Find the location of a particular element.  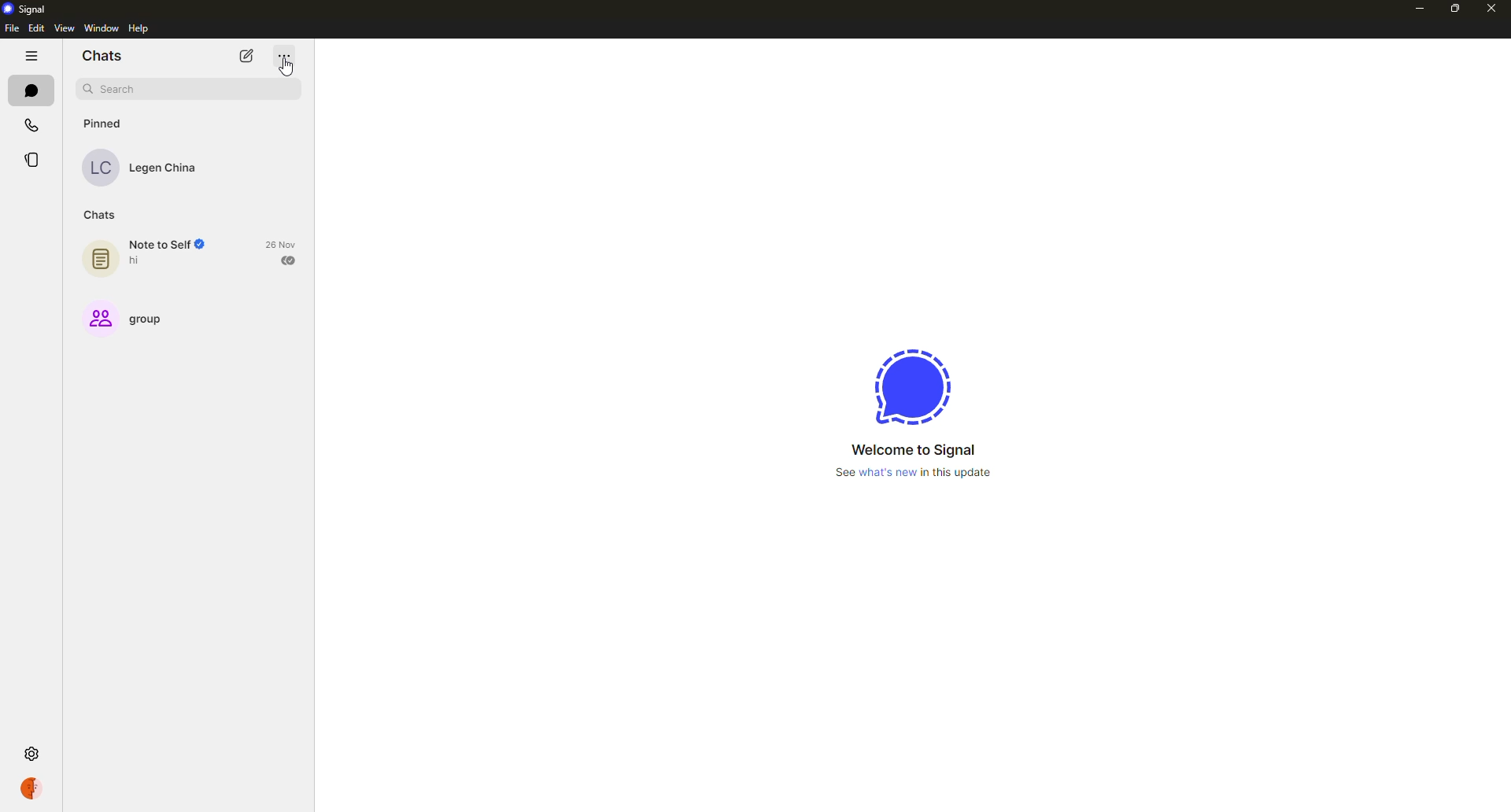

cursor is located at coordinates (286, 68).